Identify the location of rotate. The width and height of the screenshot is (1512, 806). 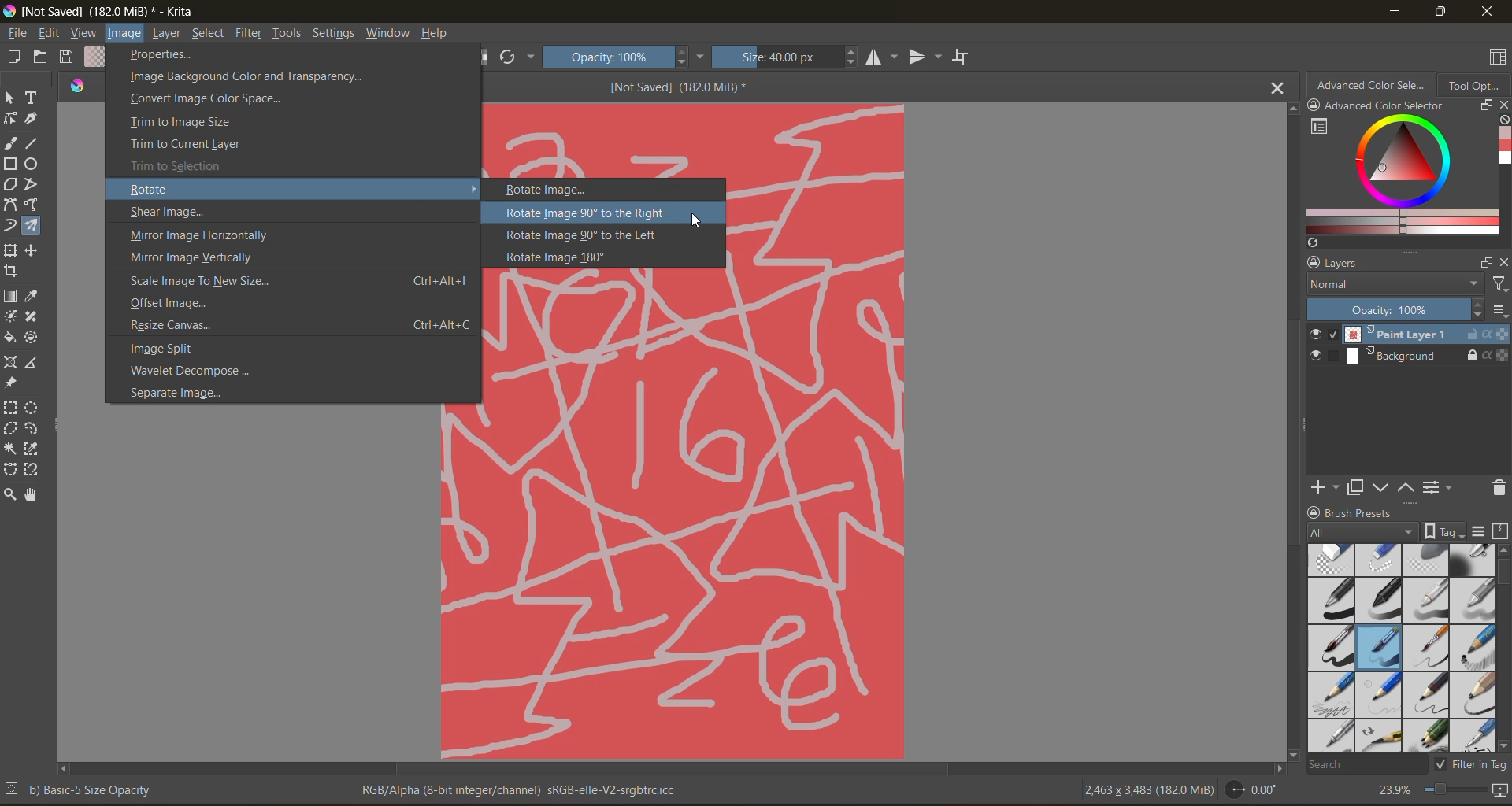
(171, 189).